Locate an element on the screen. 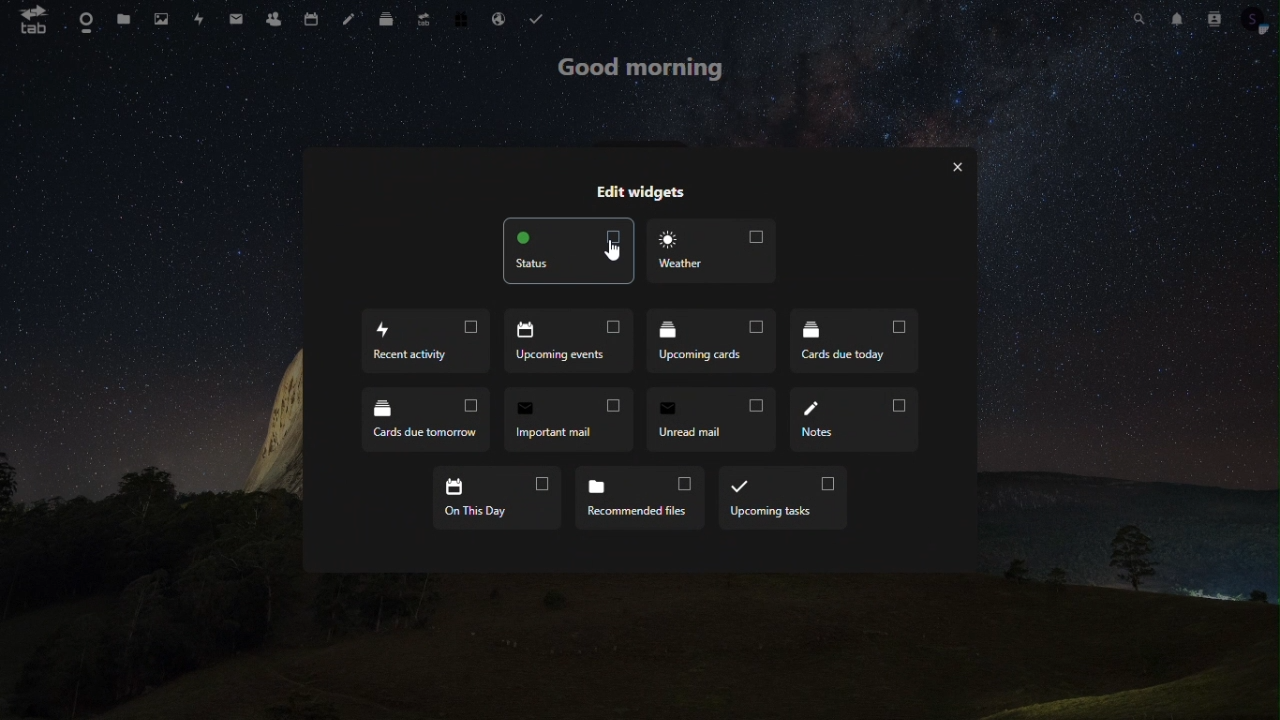 This screenshot has height=720, width=1280. upcoming card is located at coordinates (718, 341).